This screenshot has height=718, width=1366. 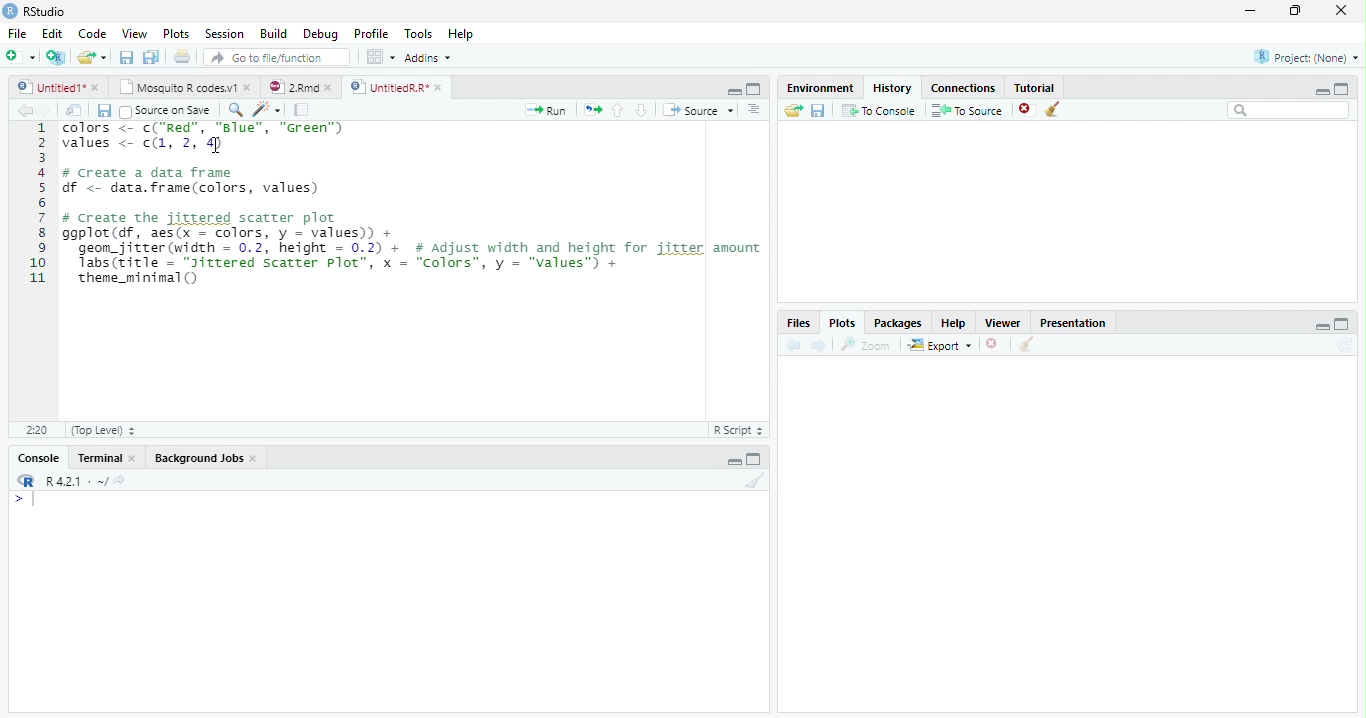 What do you see at coordinates (818, 110) in the screenshot?
I see `Save history into a file` at bounding box center [818, 110].